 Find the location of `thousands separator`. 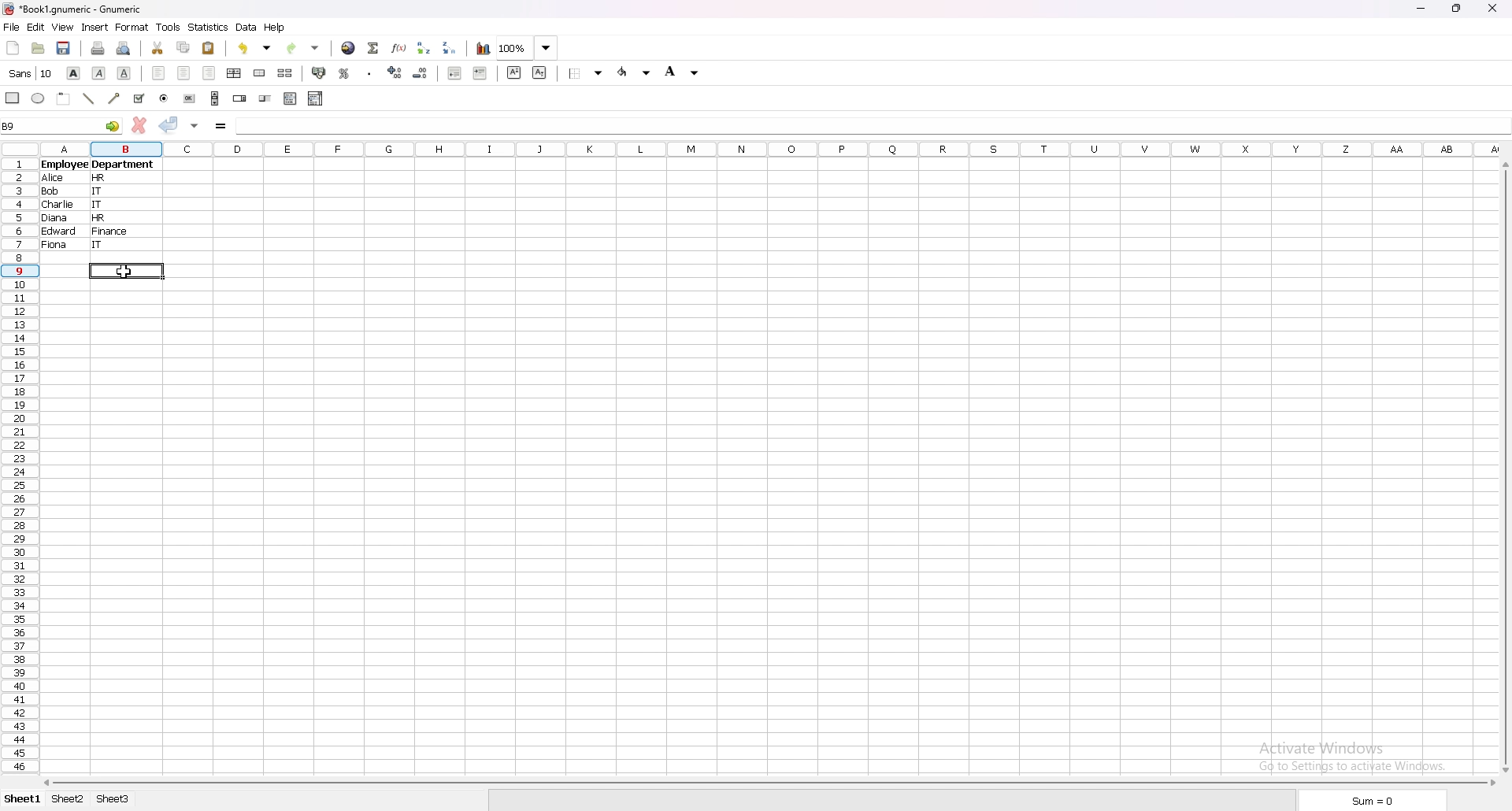

thousands separator is located at coordinates (369, 72).